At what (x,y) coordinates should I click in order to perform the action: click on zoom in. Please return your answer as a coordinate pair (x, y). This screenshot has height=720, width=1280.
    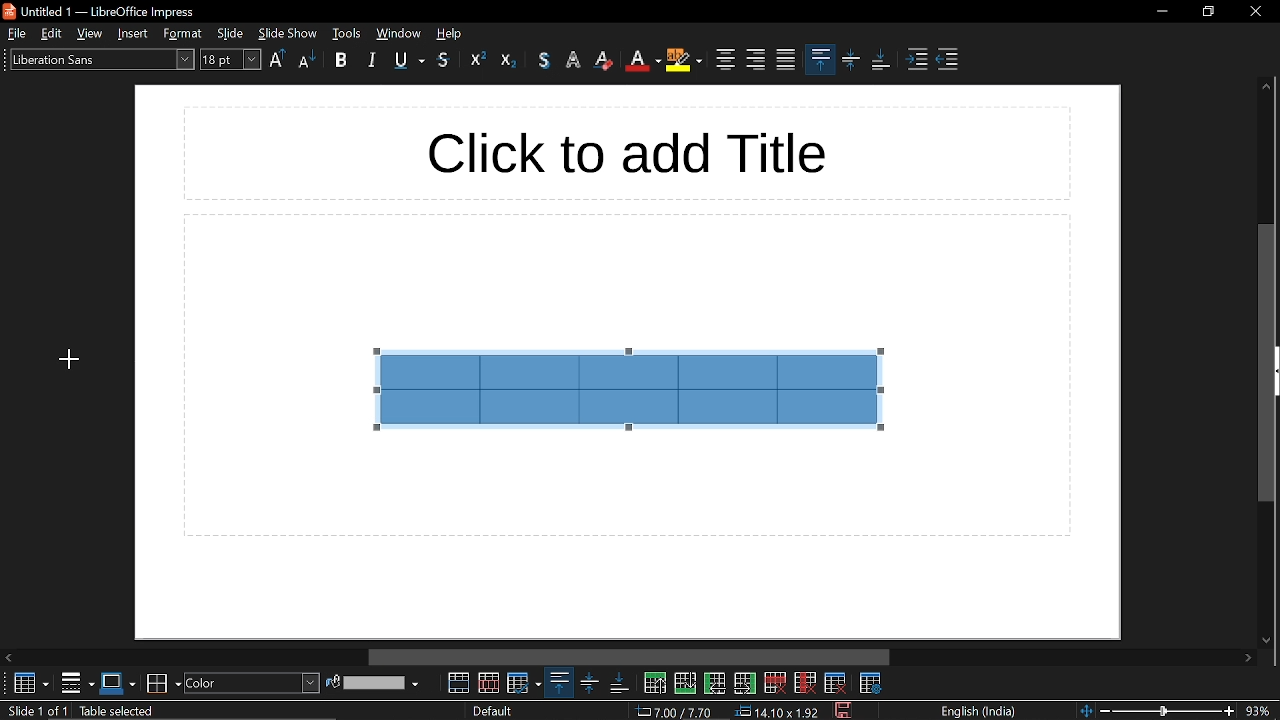
    Looking at the image, I should click on (1230, 711).